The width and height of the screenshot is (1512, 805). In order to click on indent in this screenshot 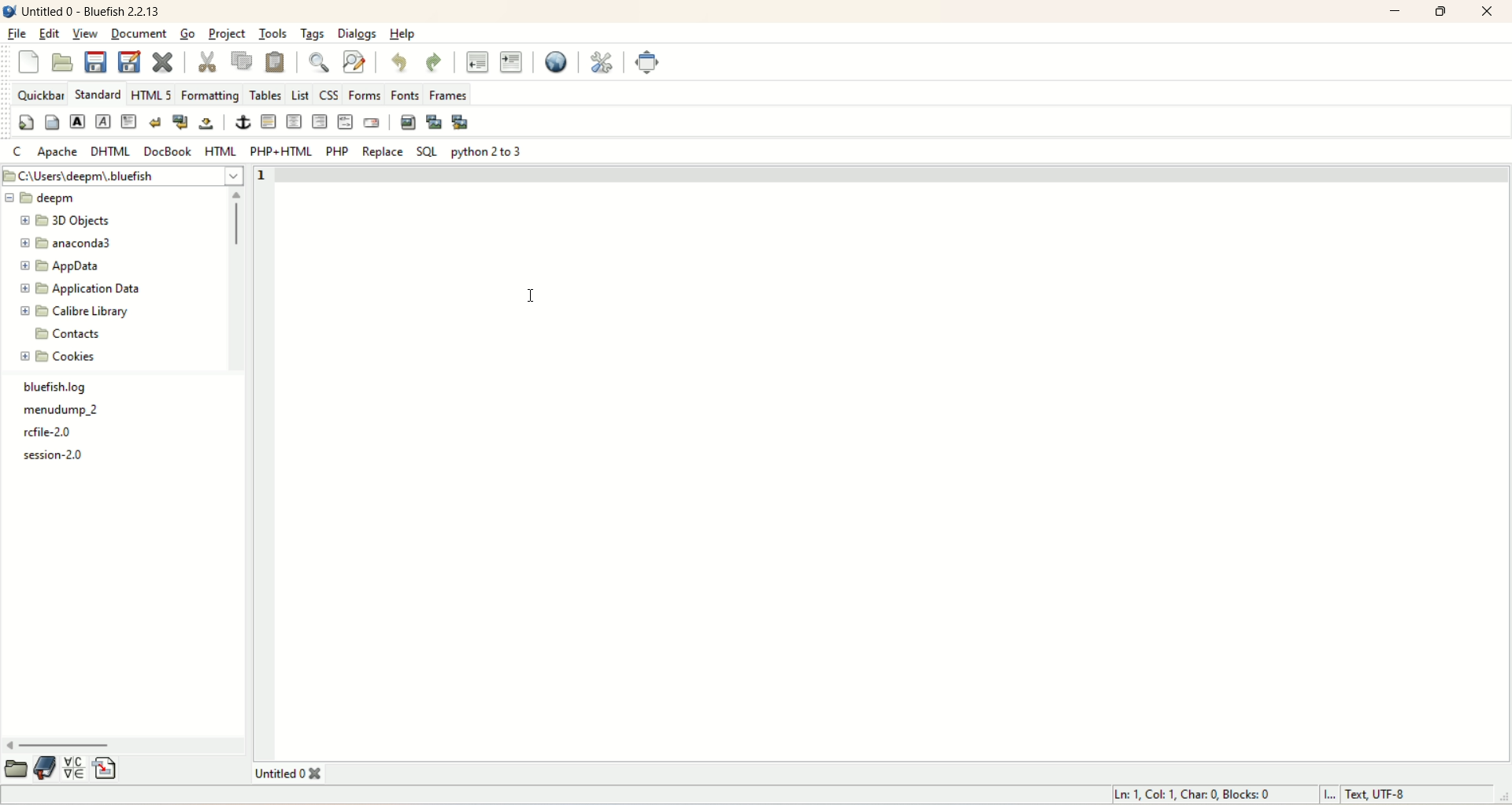, I will do `click(511, 63)`.